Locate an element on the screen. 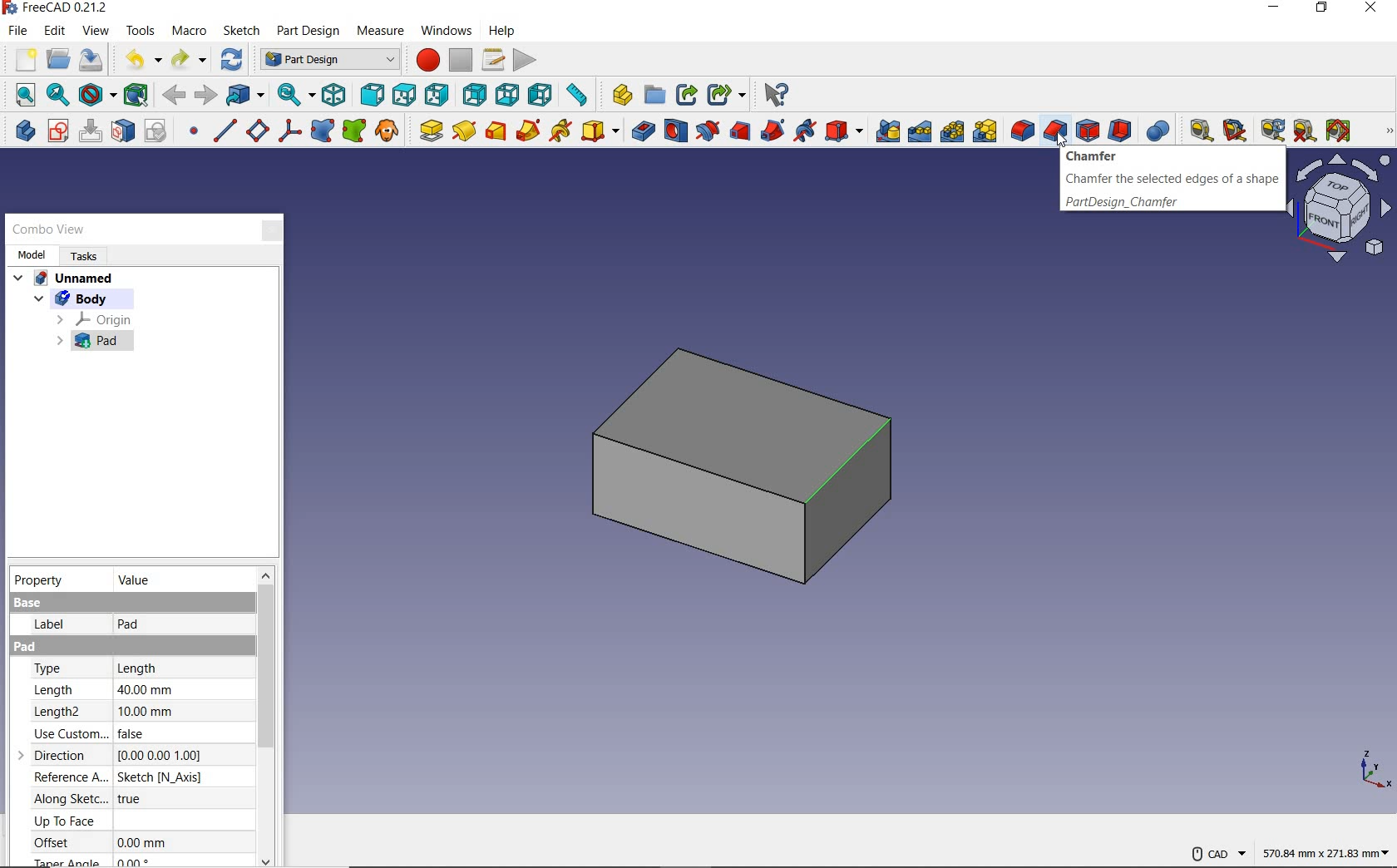 The height and width of the screenshot is (868, 1397). Chamfer Chamfer the selected edges of a shape PartDesian Chamfer is located at coordinates (1167, 181).